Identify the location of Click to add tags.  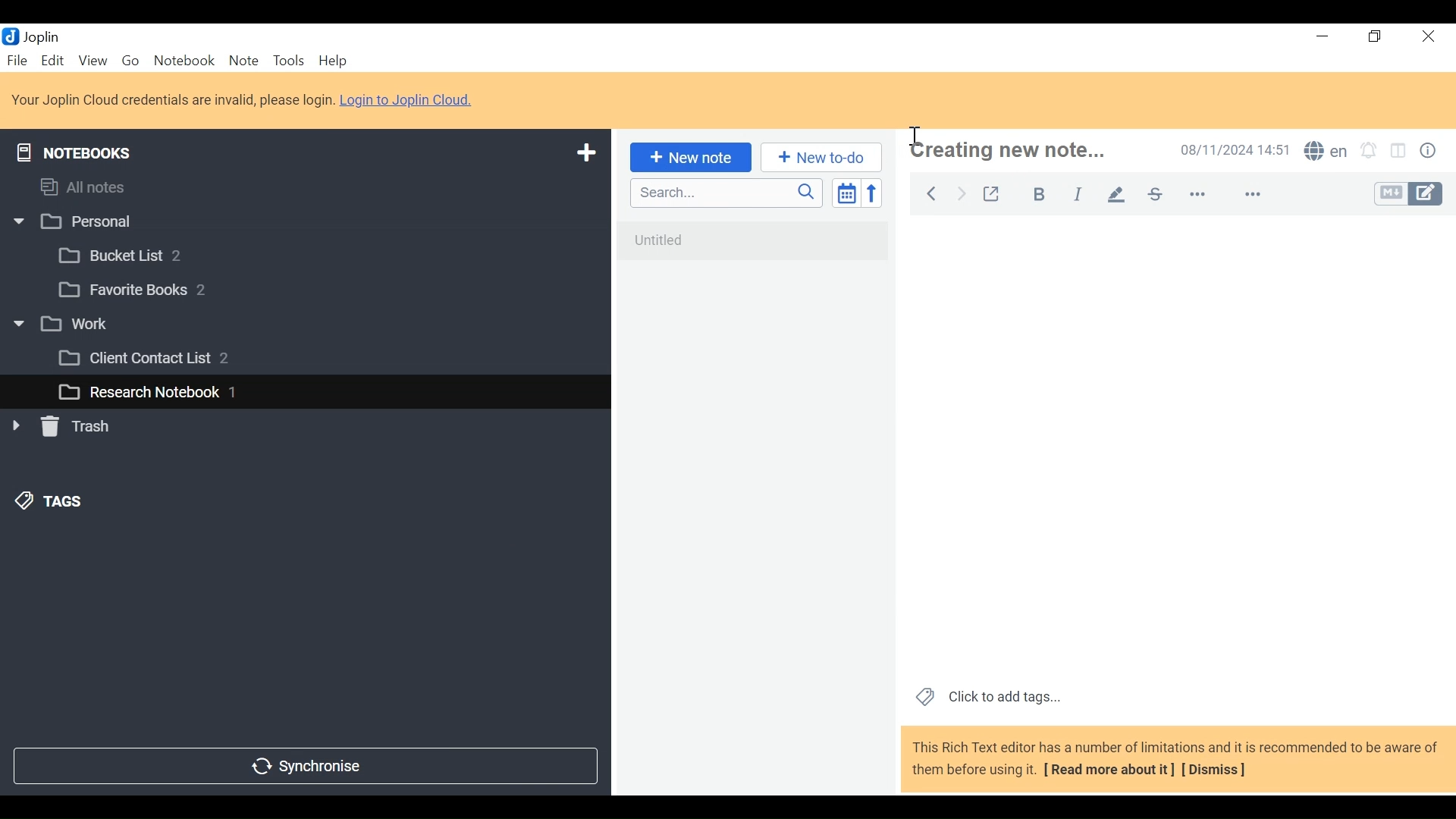
(985, 695).